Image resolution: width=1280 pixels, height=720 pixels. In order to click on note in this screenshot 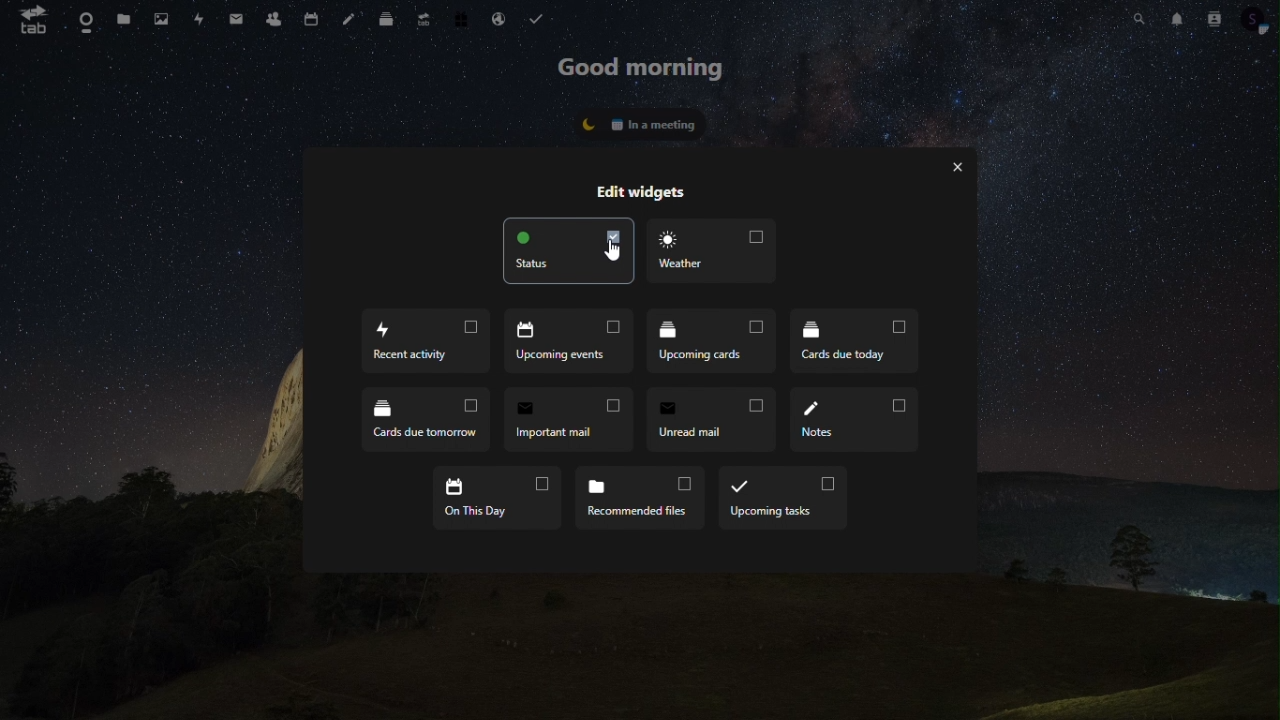, I will do `click(349, 18)`.